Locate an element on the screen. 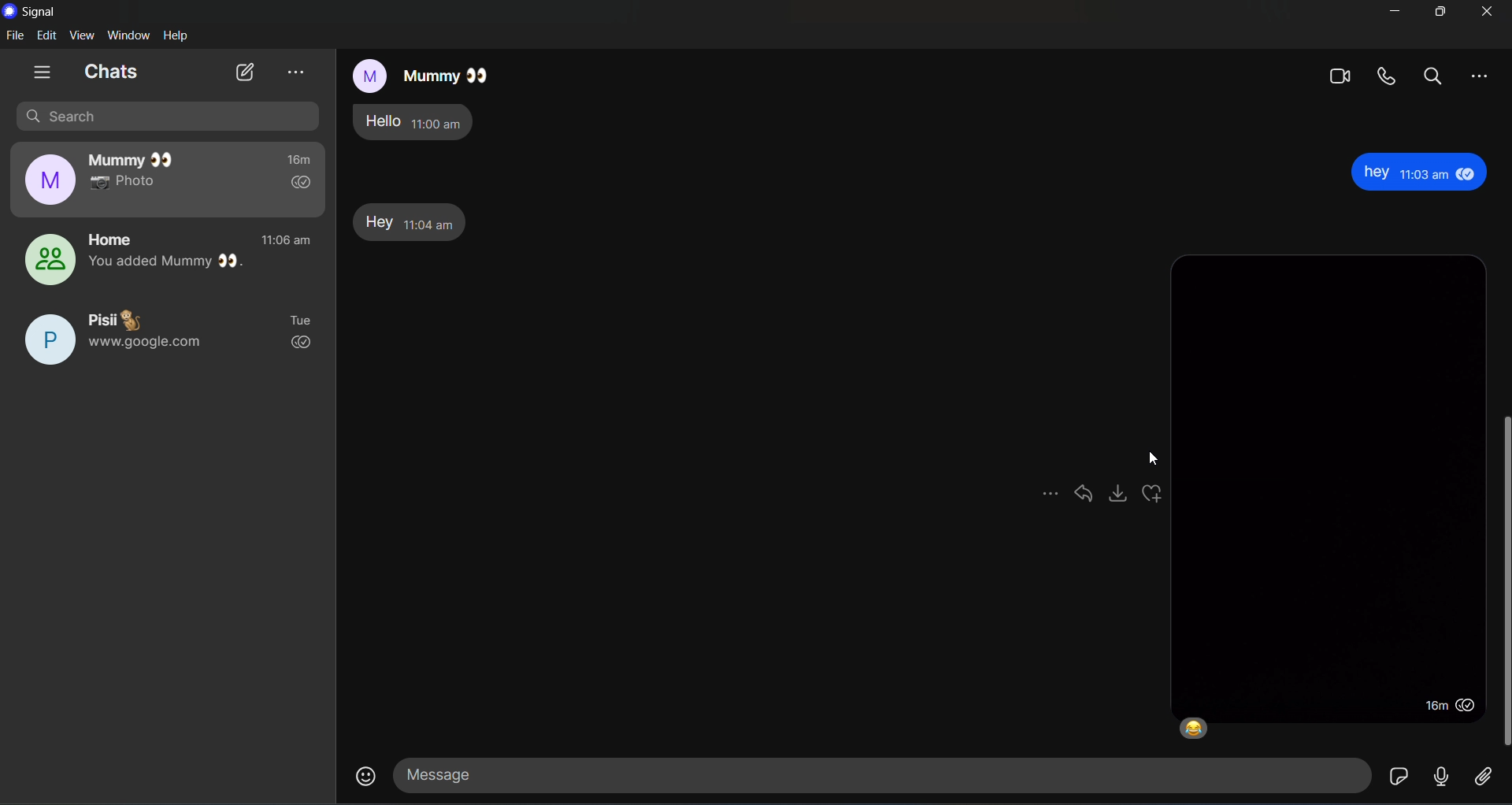 The image size is (1512, 805). mummy chat is located at coordinates (168, 180).